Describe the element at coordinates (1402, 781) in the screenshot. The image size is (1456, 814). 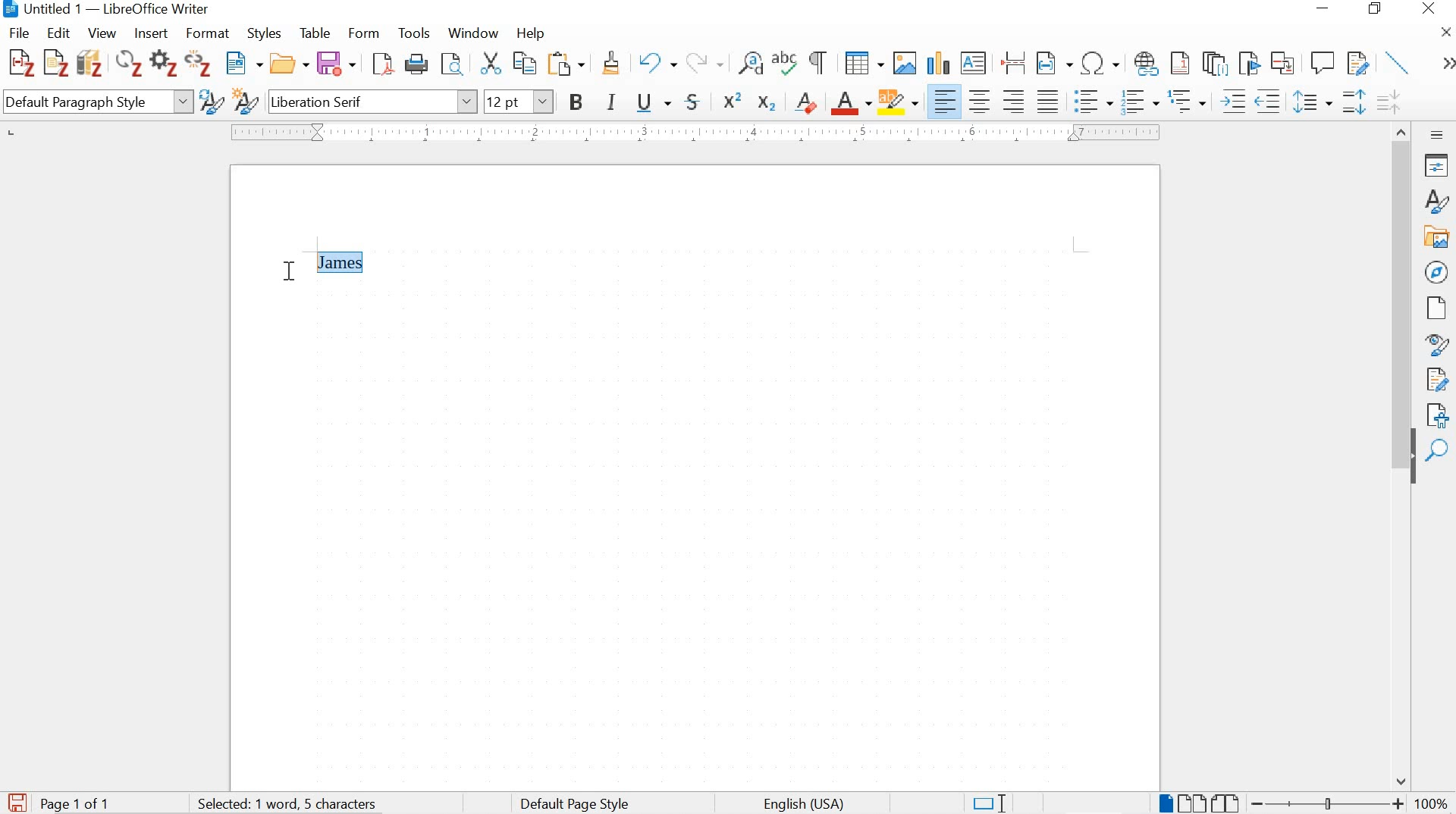
I see `move down` at that location.